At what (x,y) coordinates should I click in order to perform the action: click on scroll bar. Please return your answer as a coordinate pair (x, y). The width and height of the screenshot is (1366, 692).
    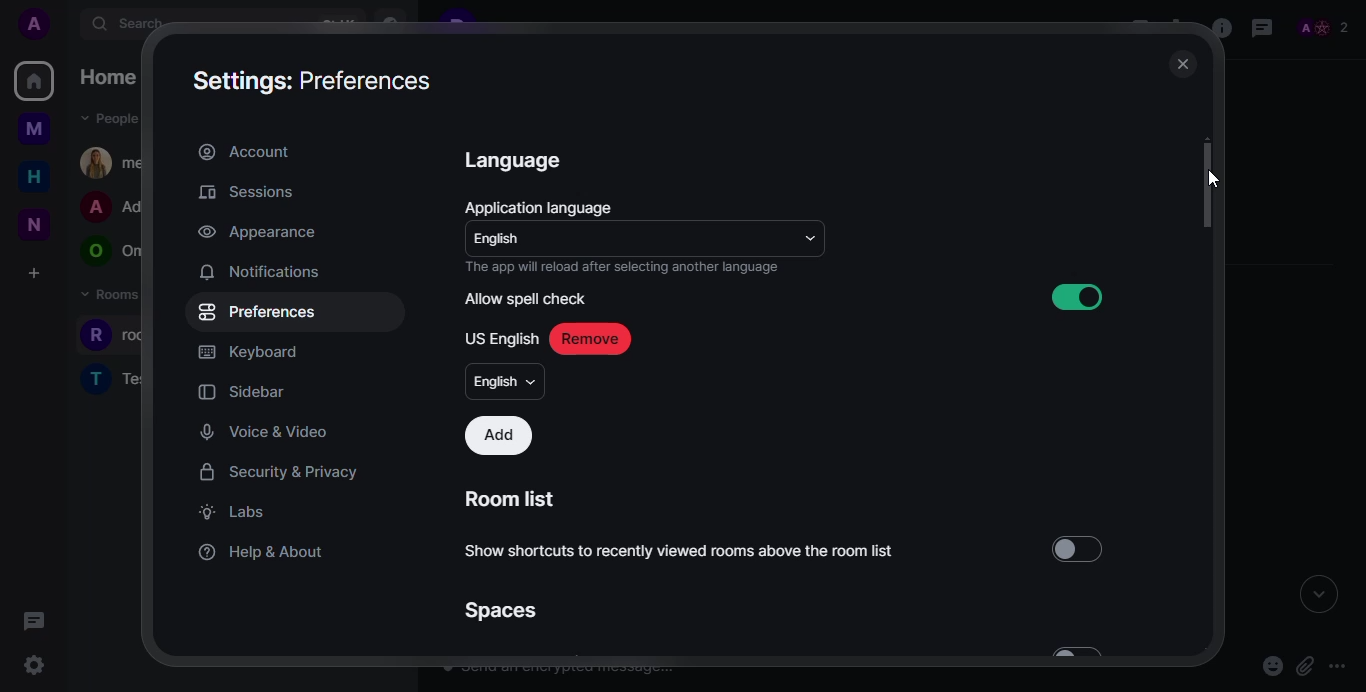
    Looking at the image, I should click on (1208, 187).